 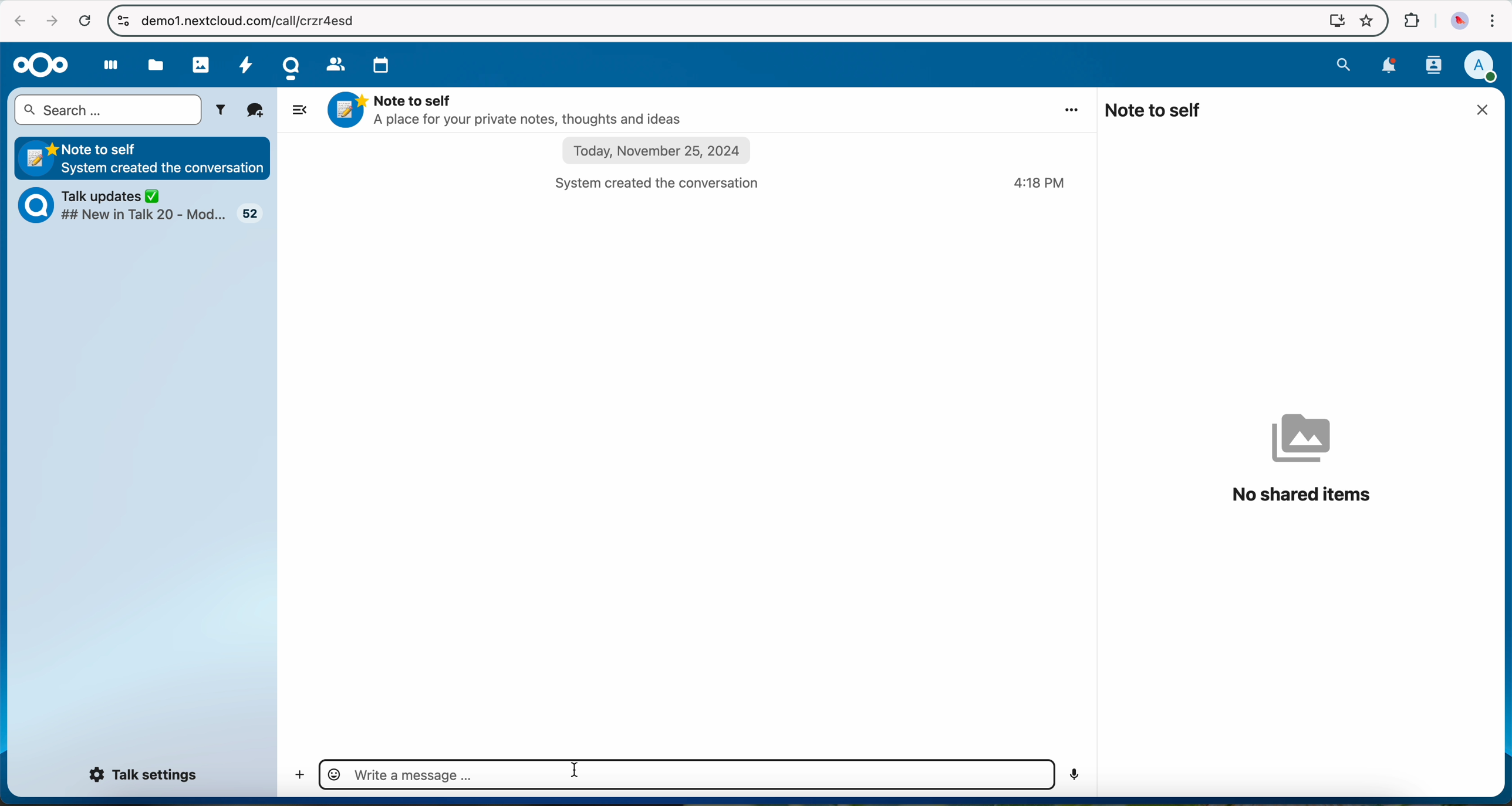 I want to click on type a message, so click(x=685, y=775).